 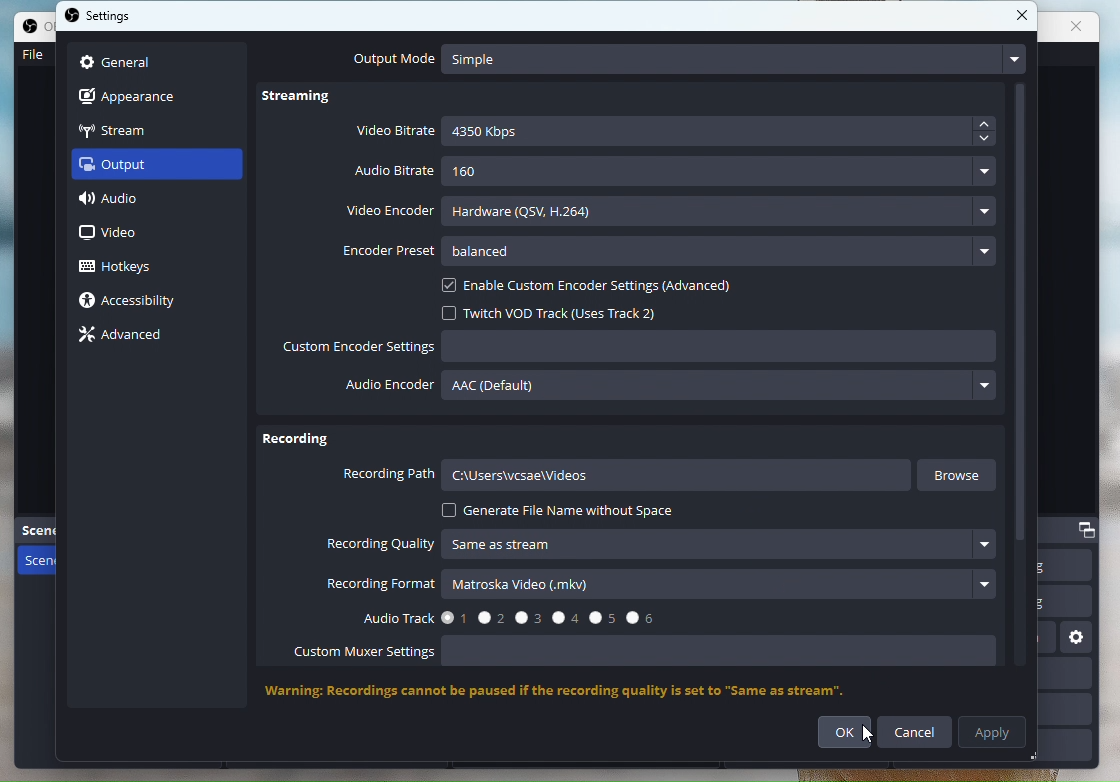 I want to click on Audio, so click(x=131, y=202).